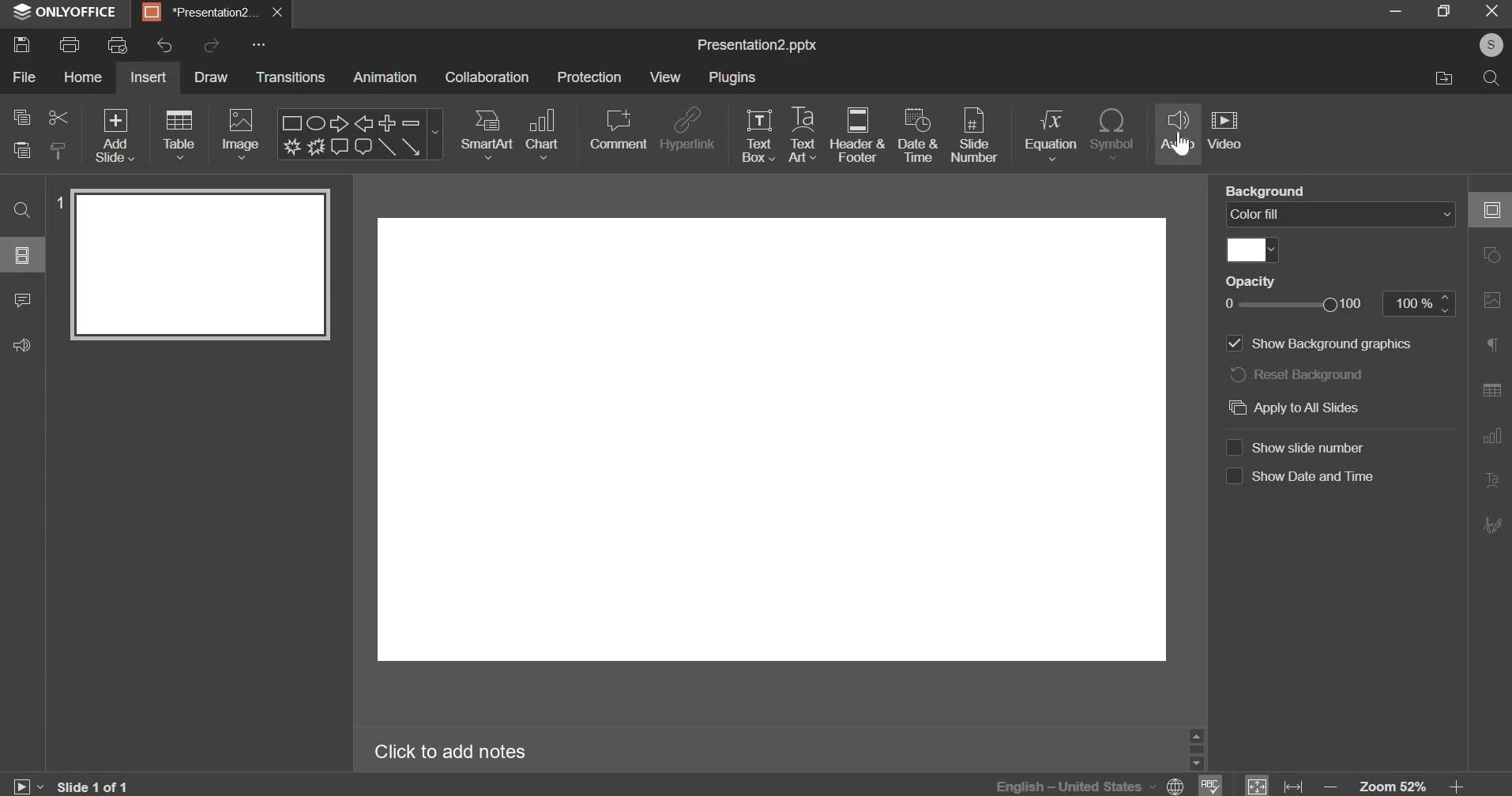 The image size is (1512, 796). Describe the element at coordinates (292, 78) in the screenshot. I see `transitions` at that location.